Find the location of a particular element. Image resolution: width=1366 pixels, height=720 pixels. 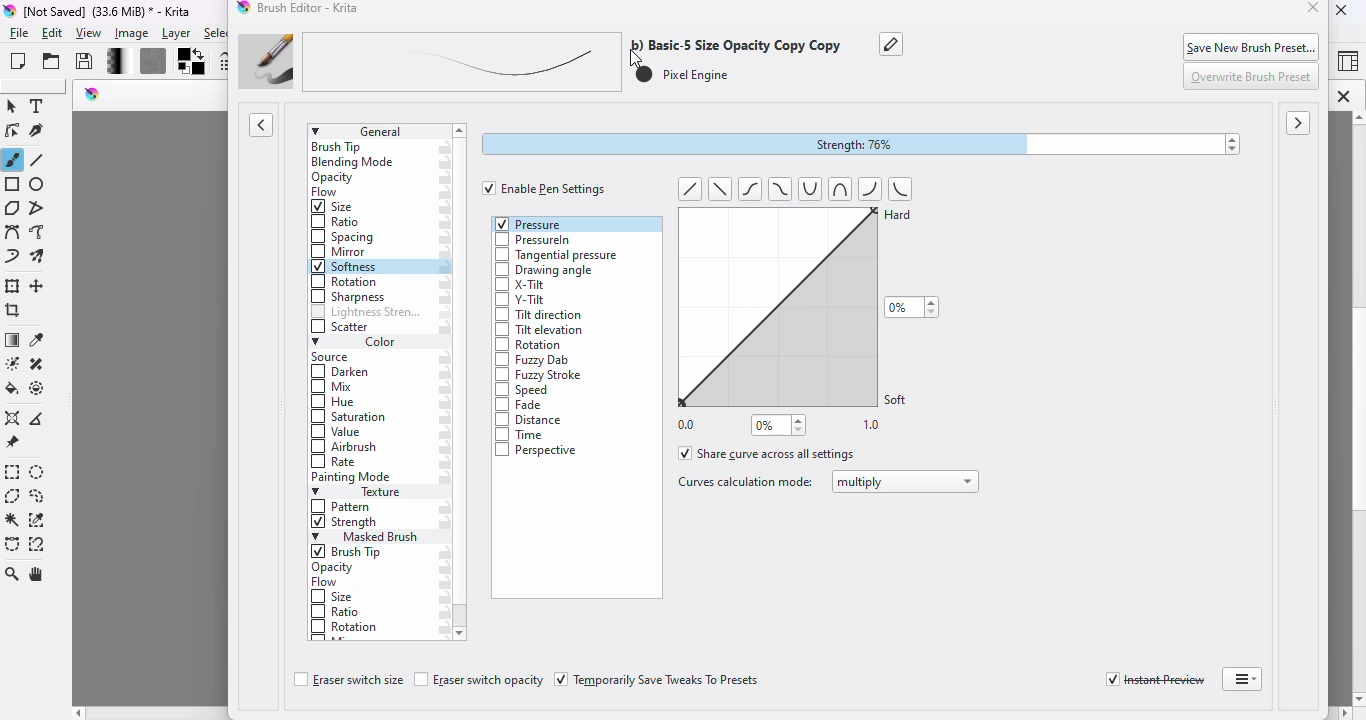

opacity is located at coordinates (332, 178).